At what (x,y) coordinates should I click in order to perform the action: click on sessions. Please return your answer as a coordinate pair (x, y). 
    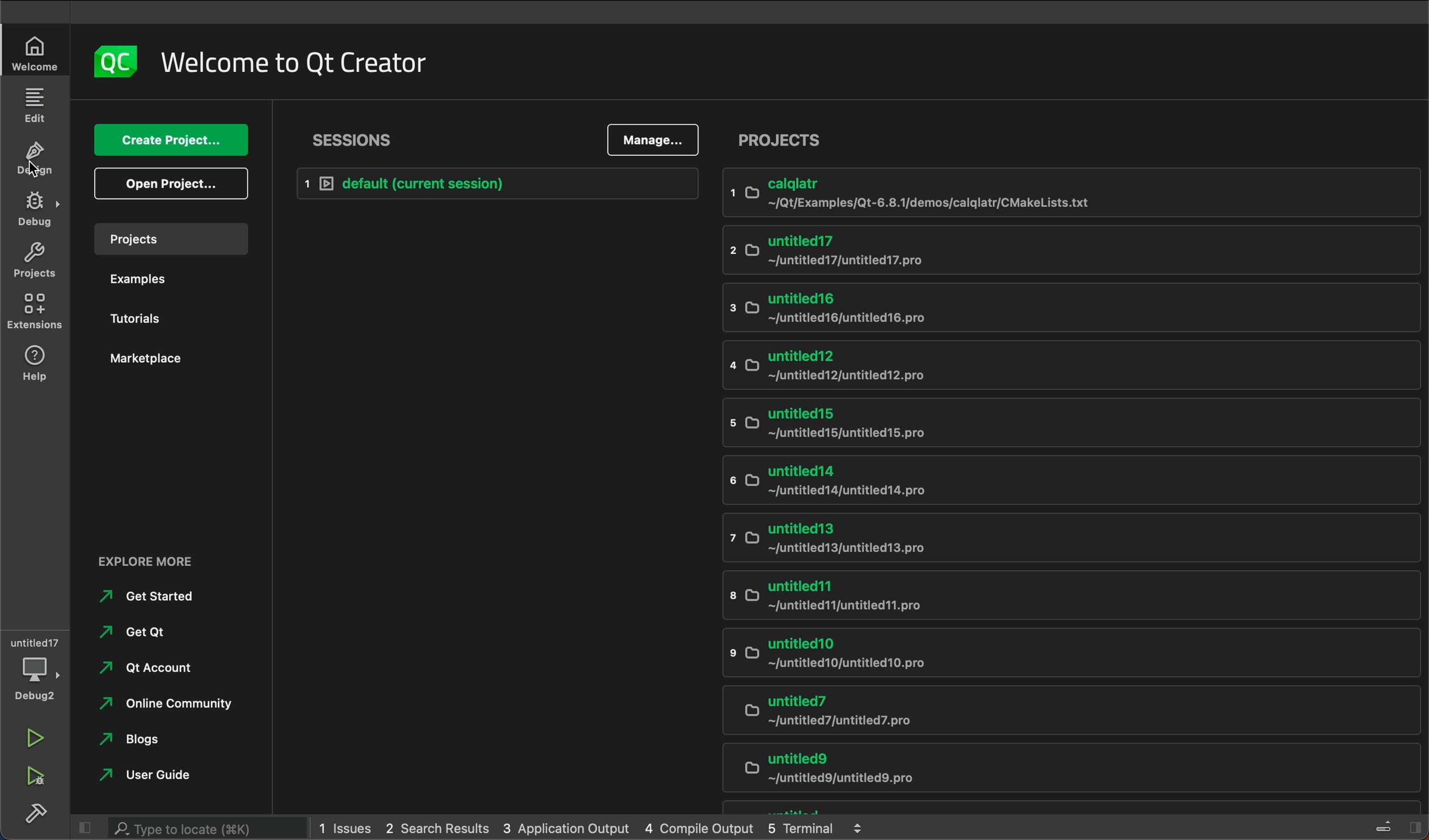
    Looking at the image, I should click on (363, 137).